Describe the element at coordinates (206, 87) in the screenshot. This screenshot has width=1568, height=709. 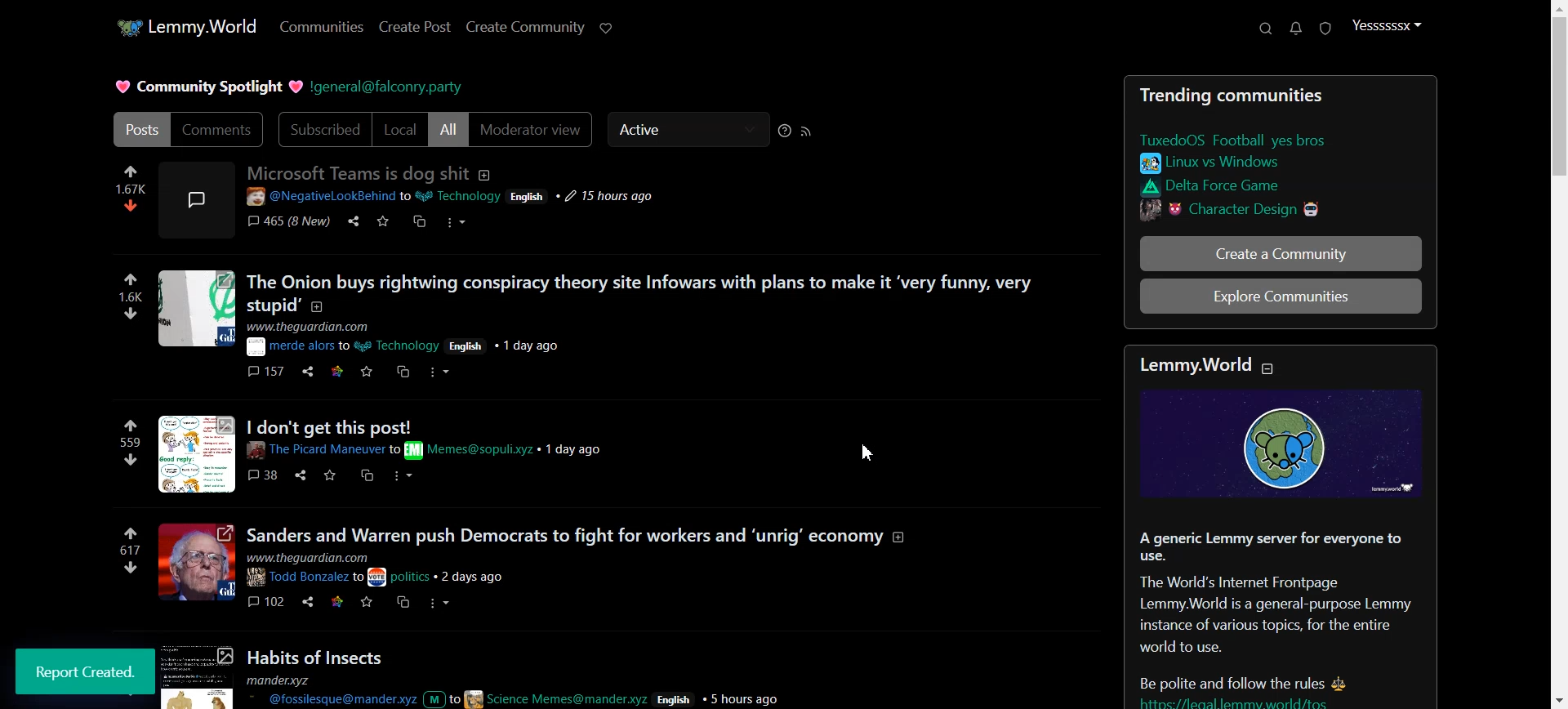
I see `Text` at that location.